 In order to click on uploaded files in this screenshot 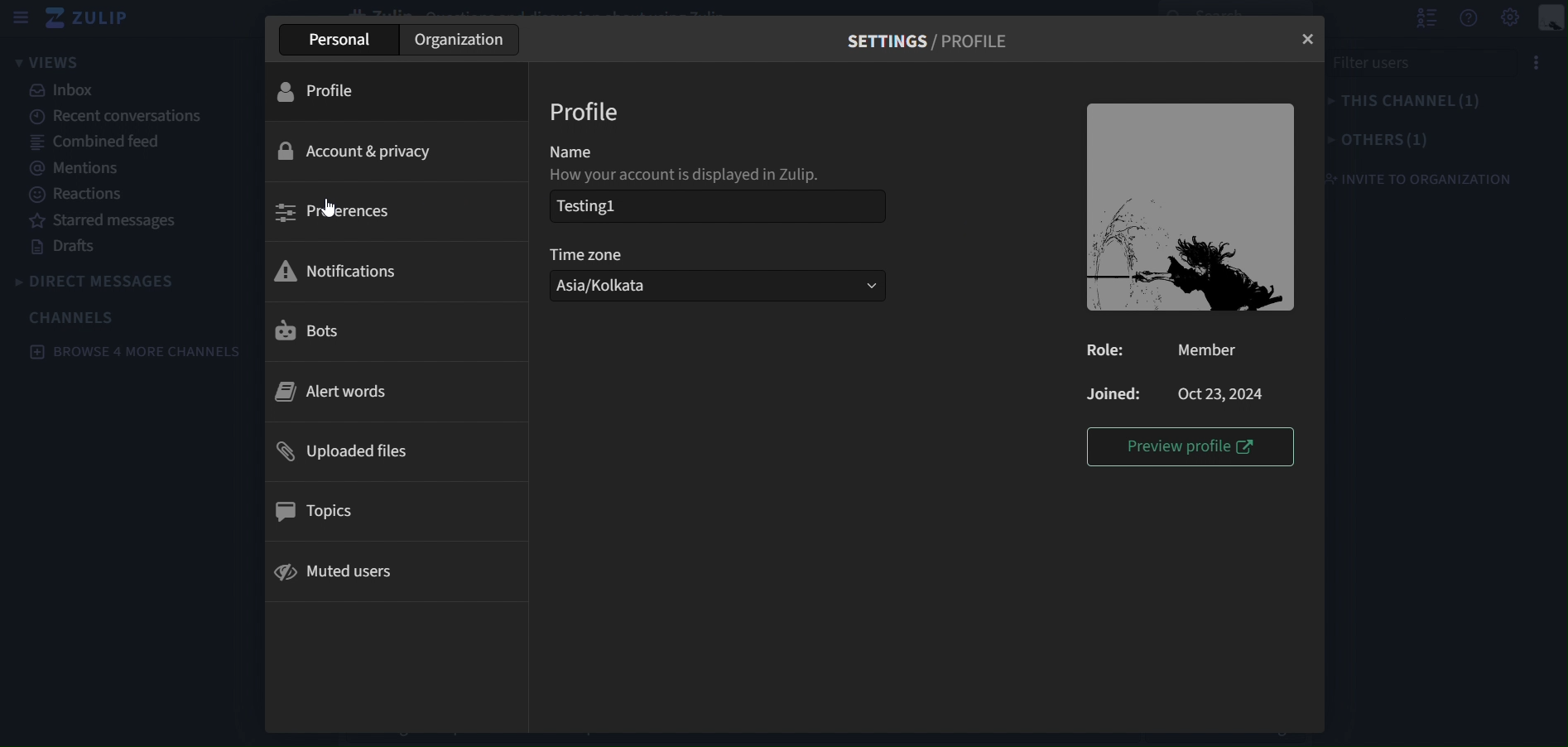, I will do `click(400, 450)`.